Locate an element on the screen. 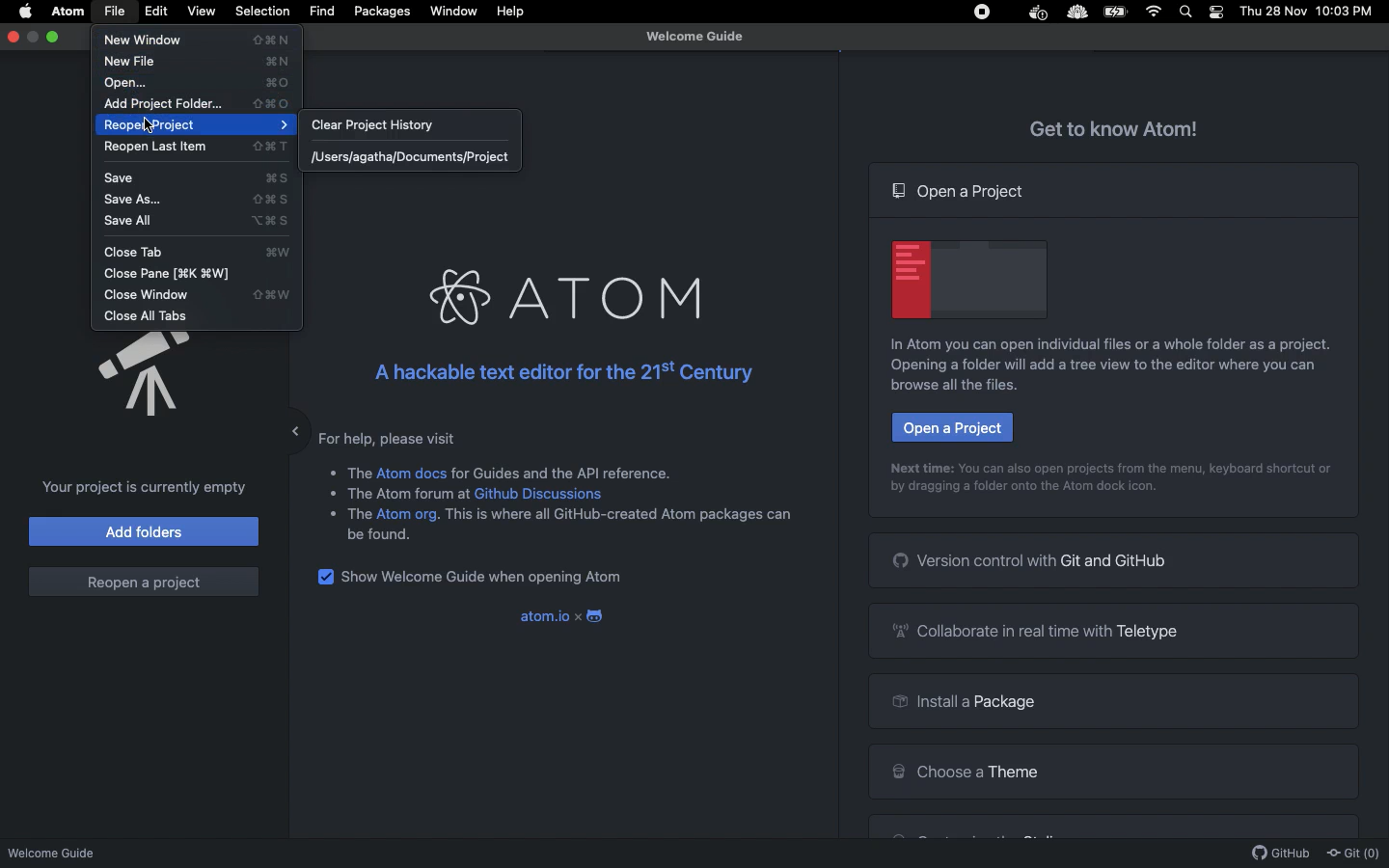 The image size is (1389, 868). Time is located at coordinates (1348, 13).